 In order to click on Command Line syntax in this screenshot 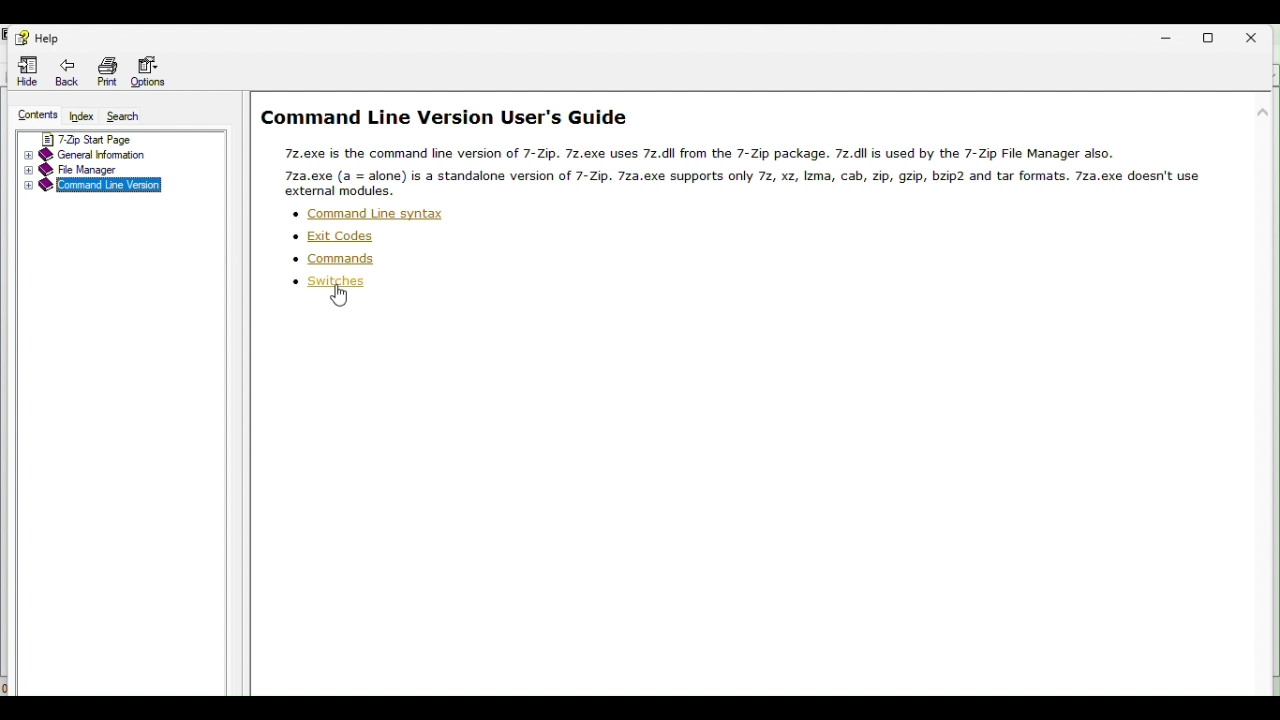, I will do `click(378, 213)`.